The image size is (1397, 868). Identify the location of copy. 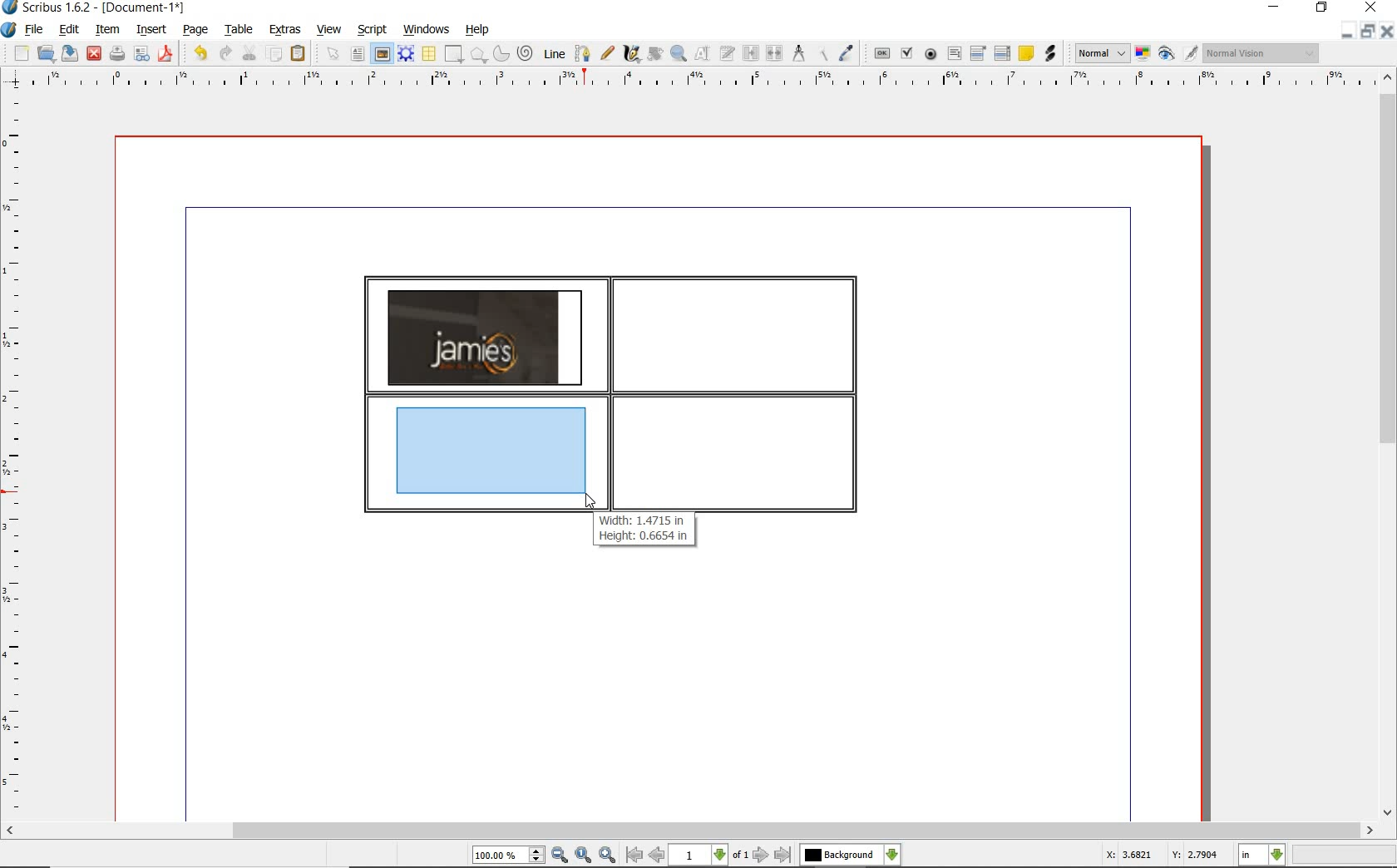
(275, 55).